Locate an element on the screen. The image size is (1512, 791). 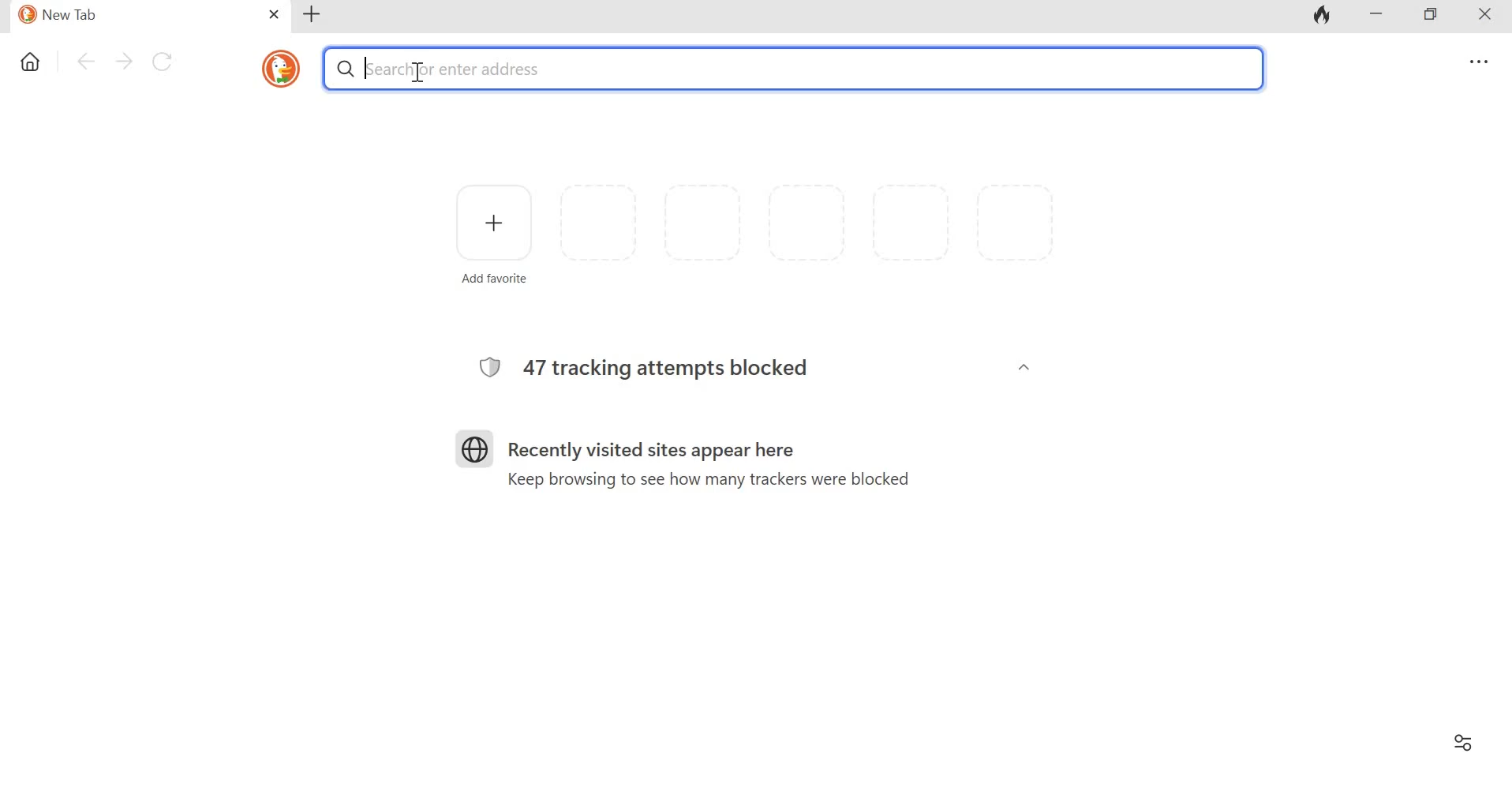
New Tab is located at coordinates (135, 17).